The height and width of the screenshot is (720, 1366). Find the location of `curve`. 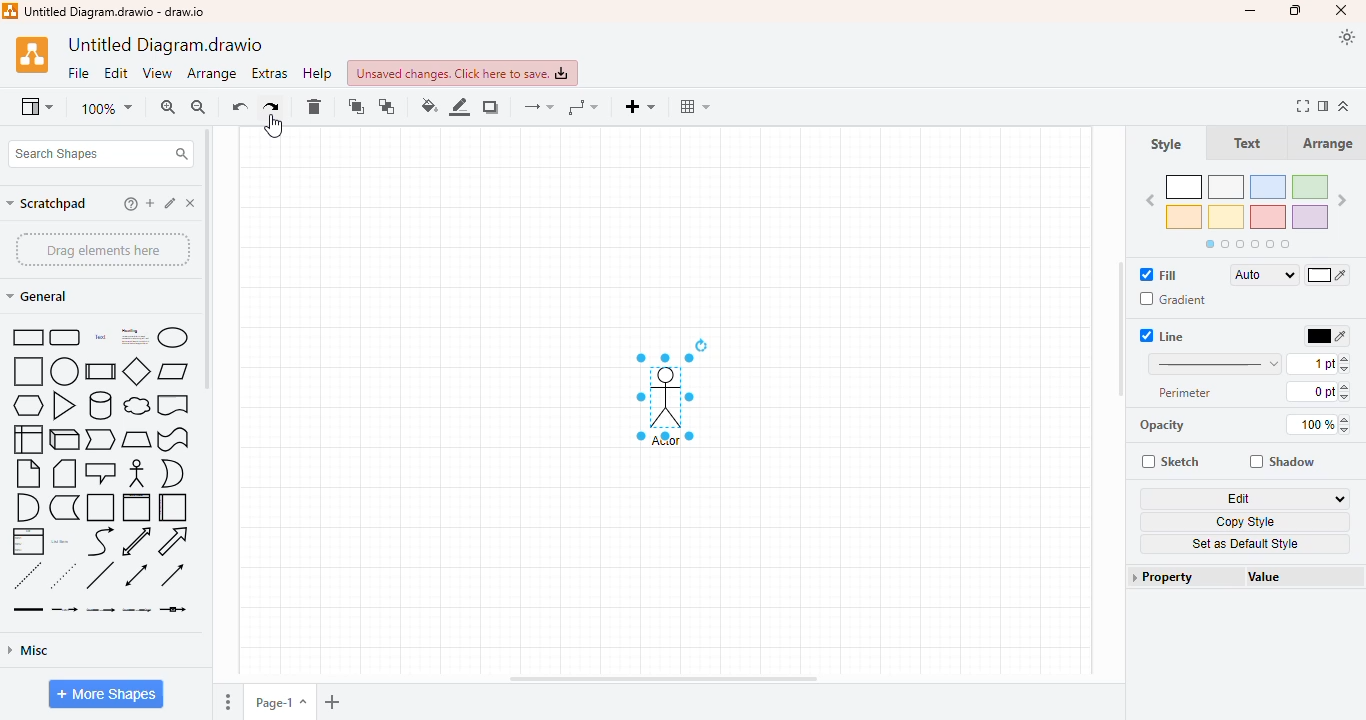

curve is located at coordinates (101, 542).